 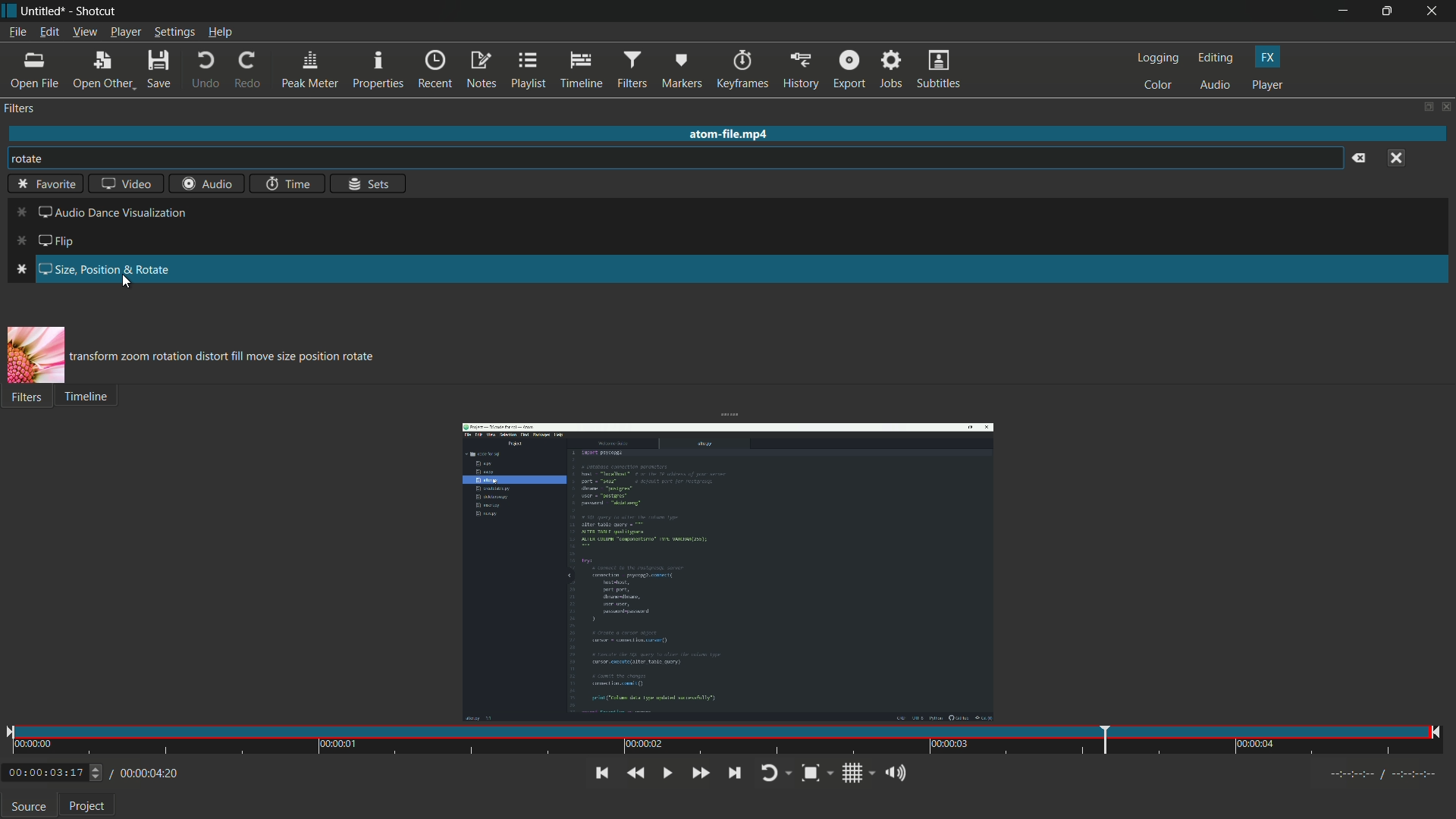 What do you see at coordinates (29, 807) in the screenshot?
I see `source` at bounding box center [29, 807].